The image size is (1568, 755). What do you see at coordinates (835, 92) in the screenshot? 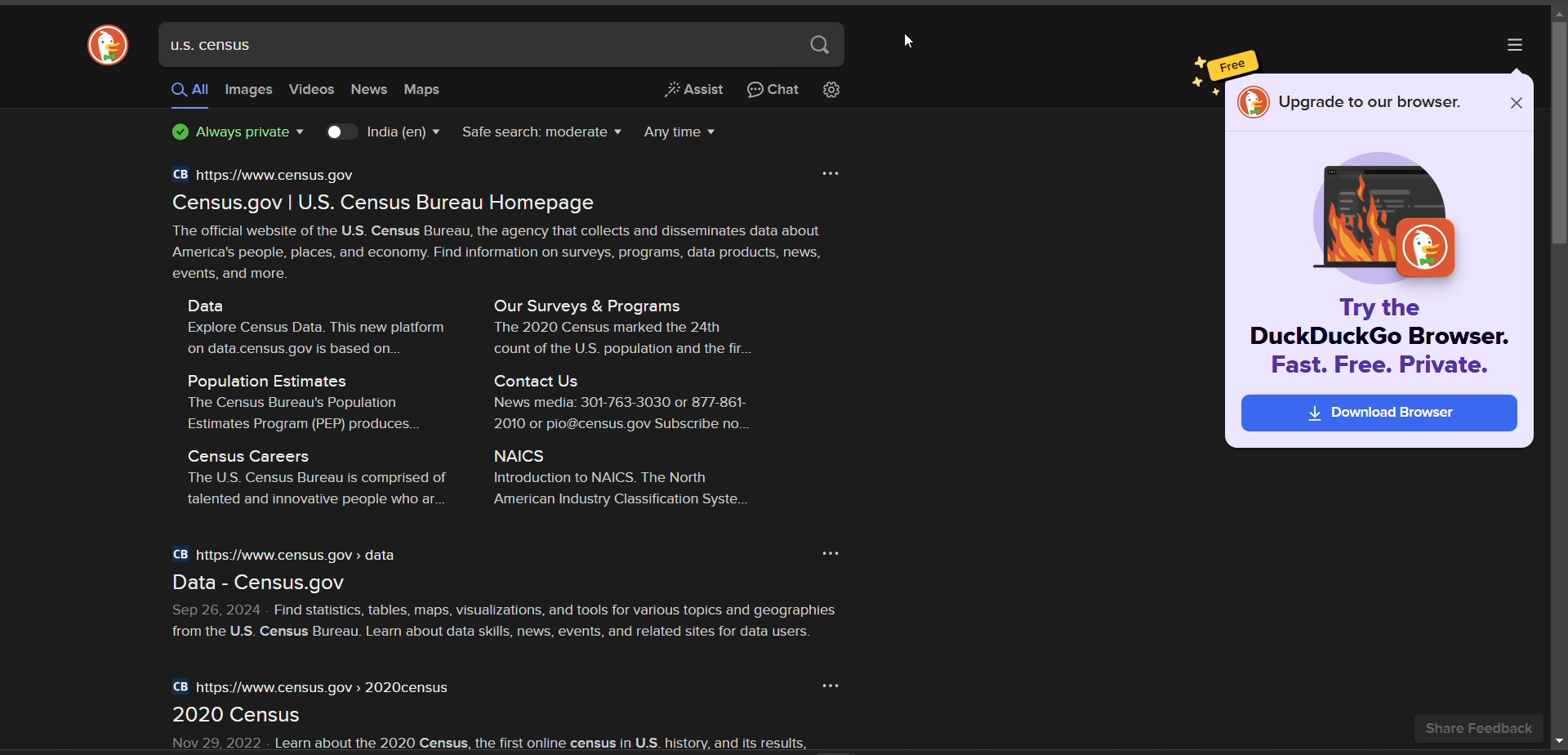
I see `settings` at bounding box center [835, 92].